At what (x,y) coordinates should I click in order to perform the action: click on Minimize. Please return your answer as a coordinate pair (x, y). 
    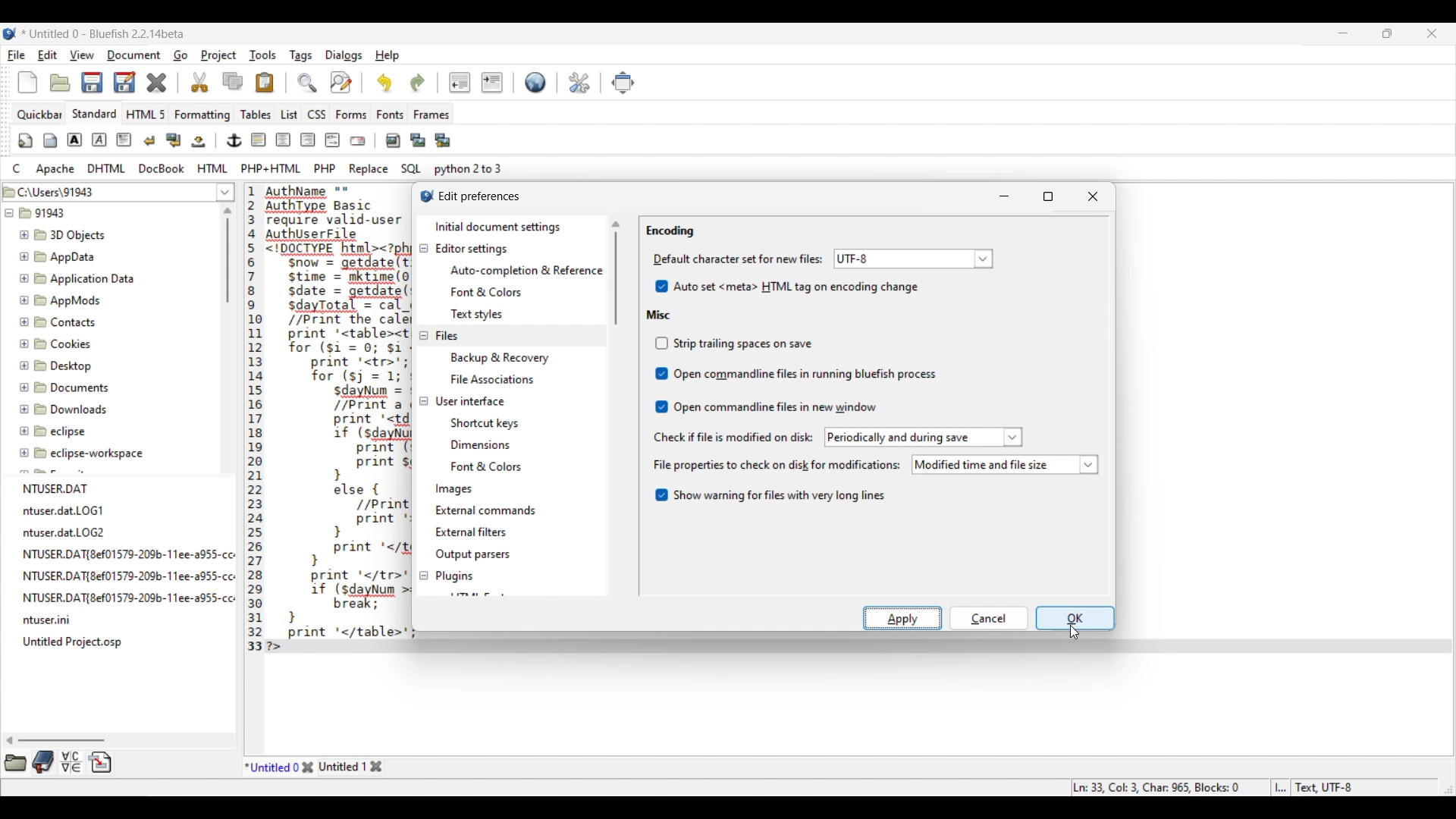
    Looking at the image, I should click on (1344, 33).